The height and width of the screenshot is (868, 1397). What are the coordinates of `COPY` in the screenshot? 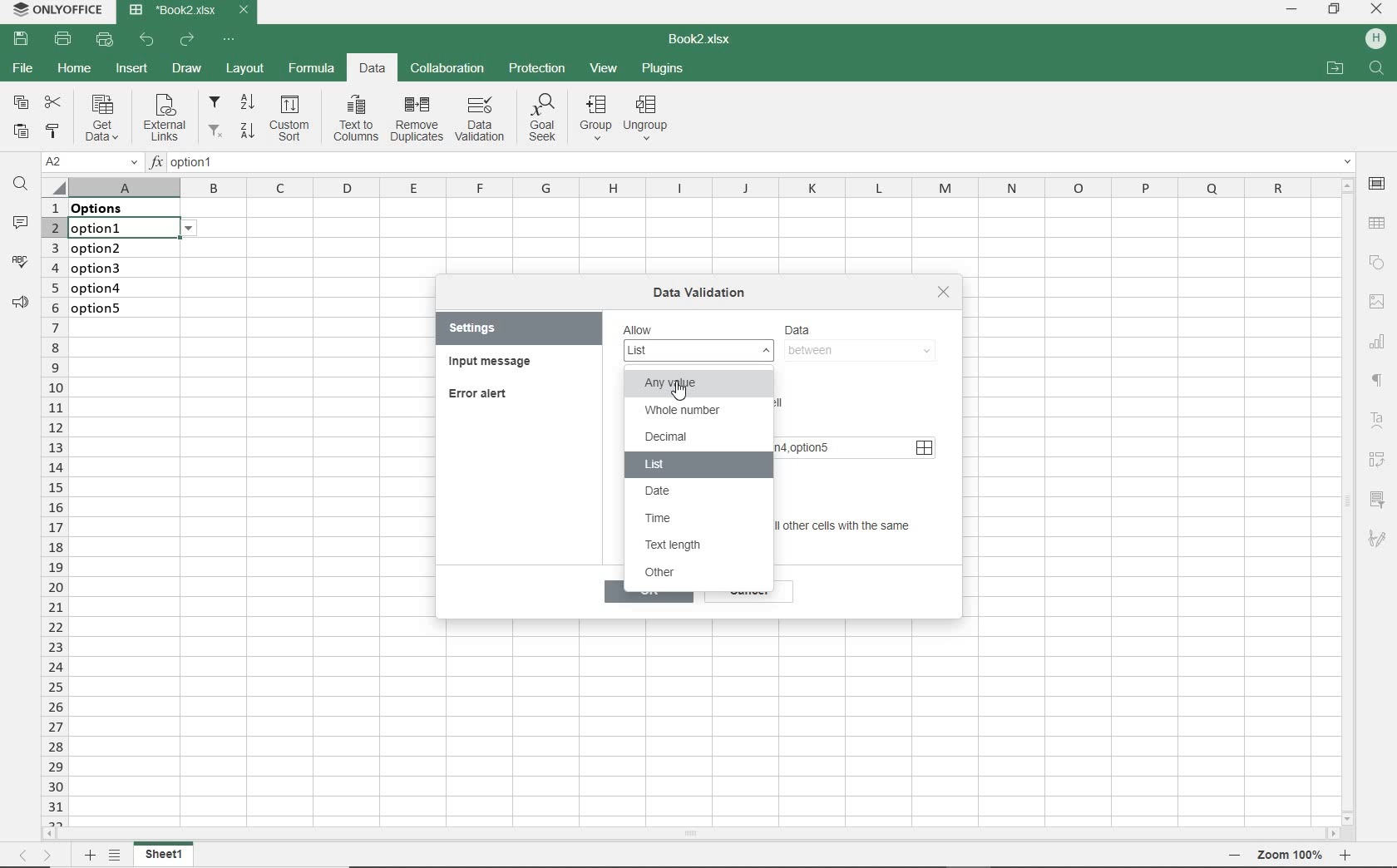 It's located at (19, 101).